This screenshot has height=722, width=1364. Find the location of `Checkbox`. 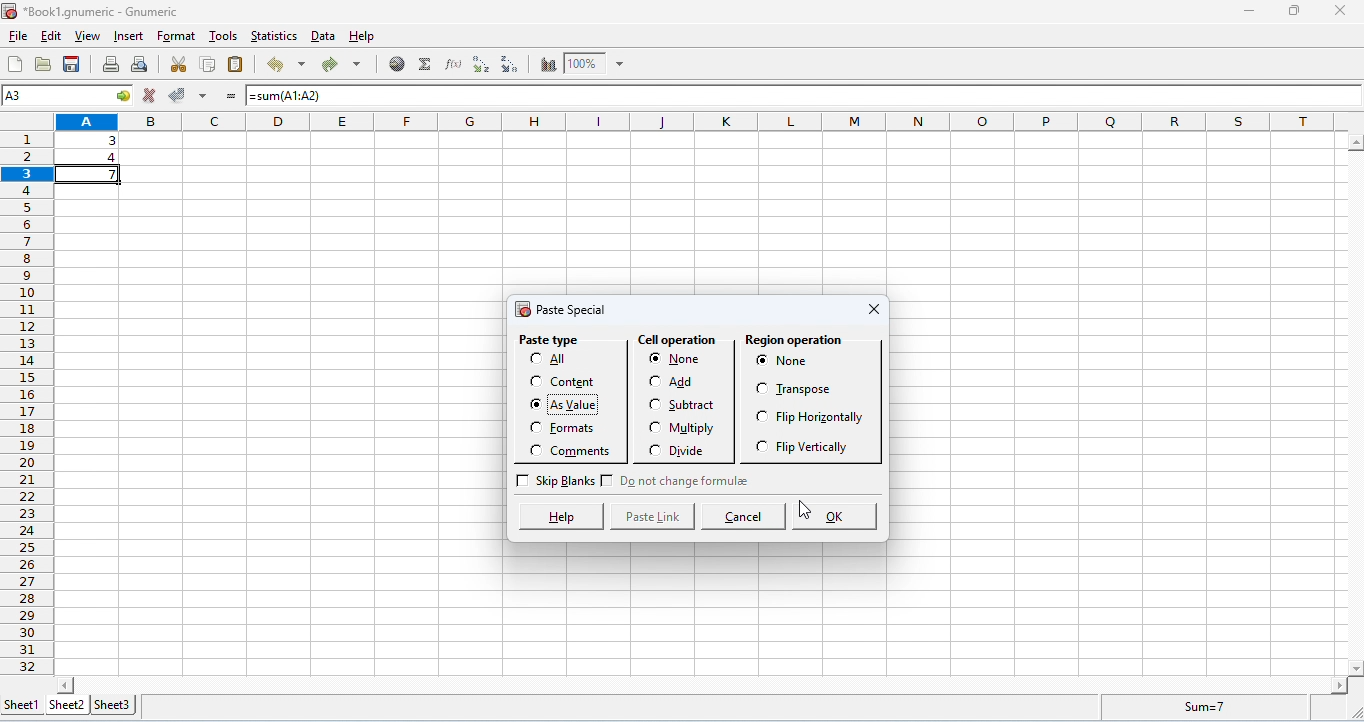

Checkbox is located at coordinates (532, 427).